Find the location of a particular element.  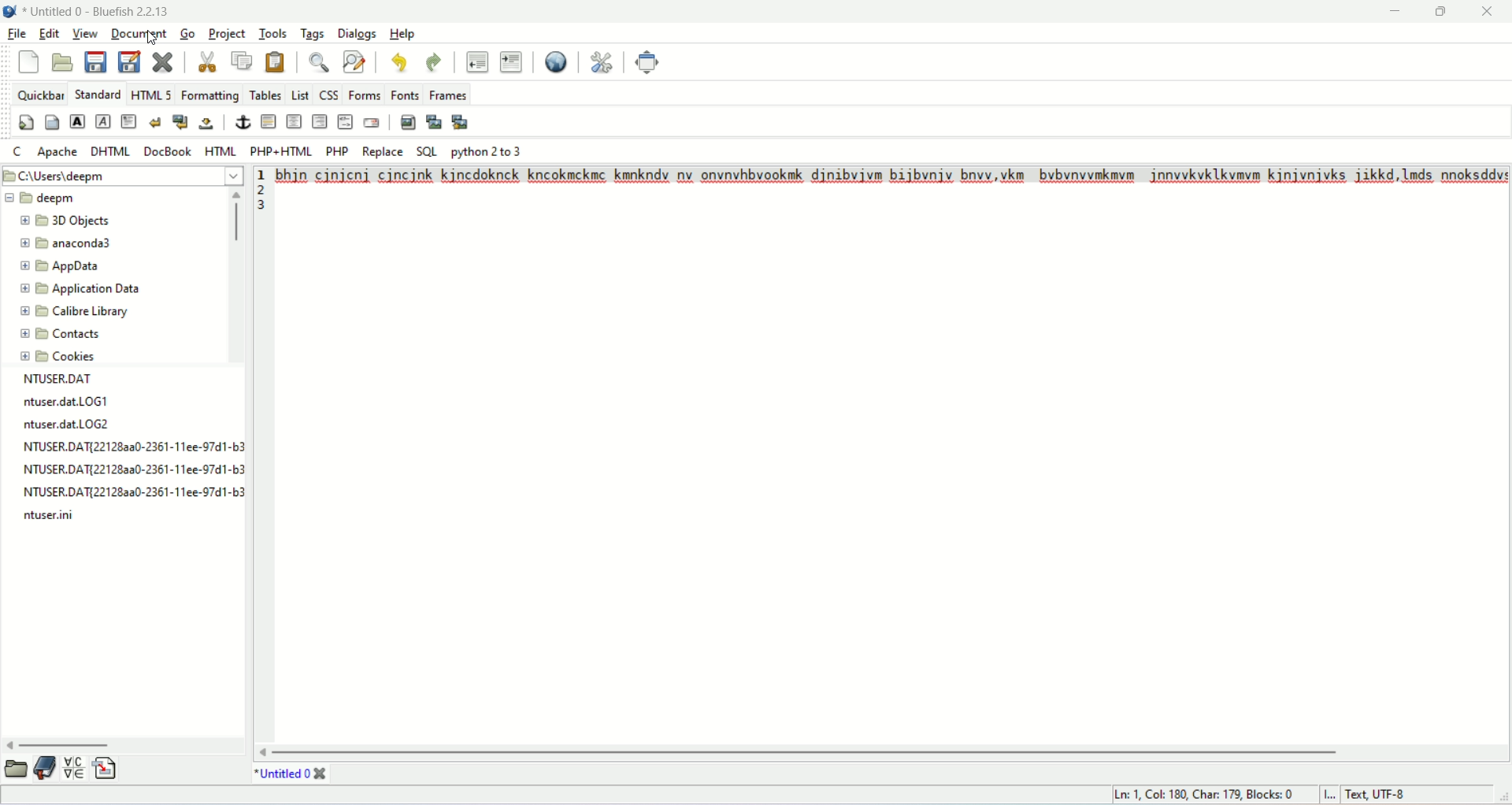

paste is located at coordinates (276, 61).